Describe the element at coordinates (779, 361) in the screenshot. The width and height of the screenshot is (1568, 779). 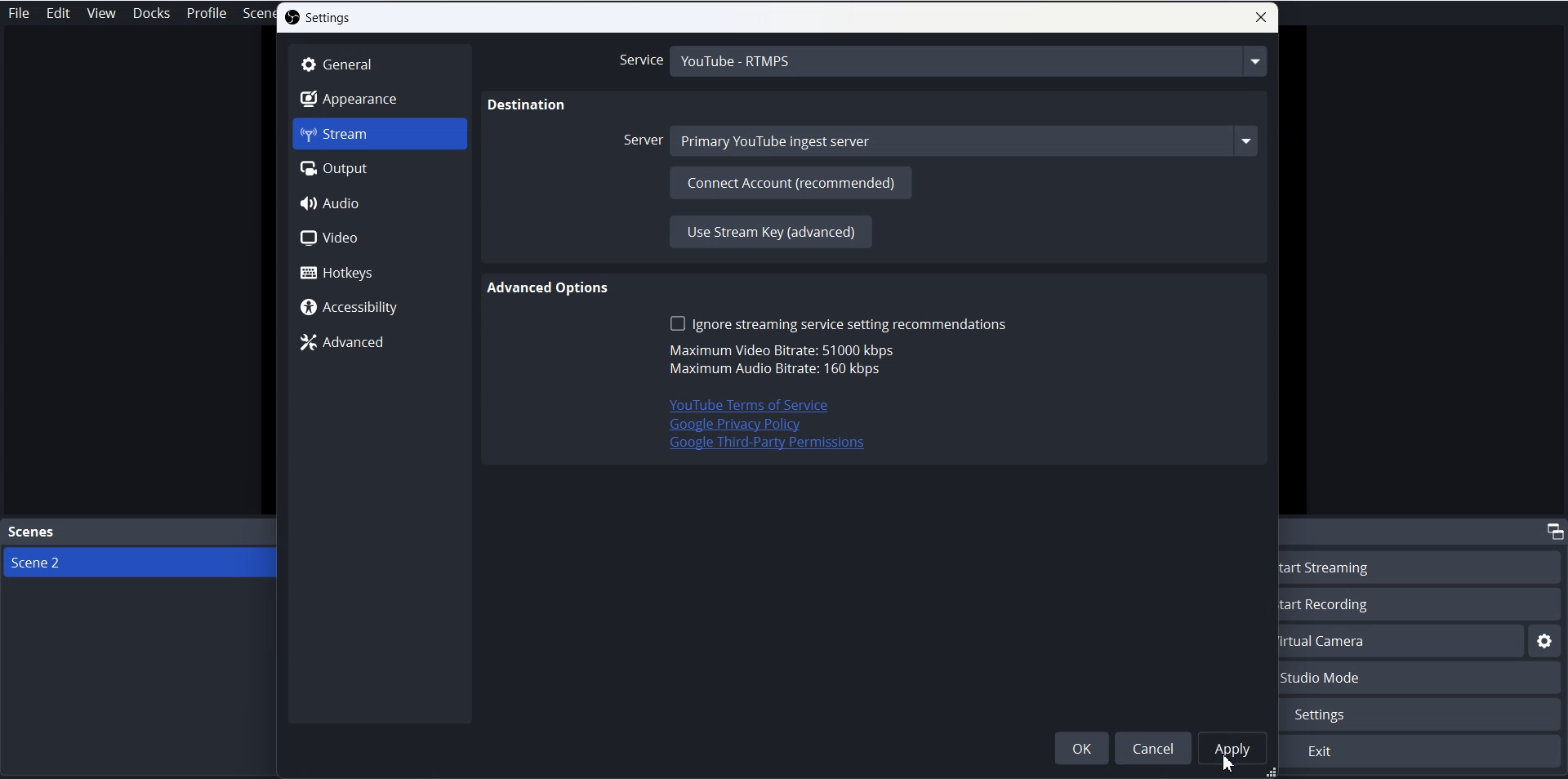
I see `Maximum Video Bitrate: 51000 kbps Maximum Audio Bitrate: 160 kbps` at that location.